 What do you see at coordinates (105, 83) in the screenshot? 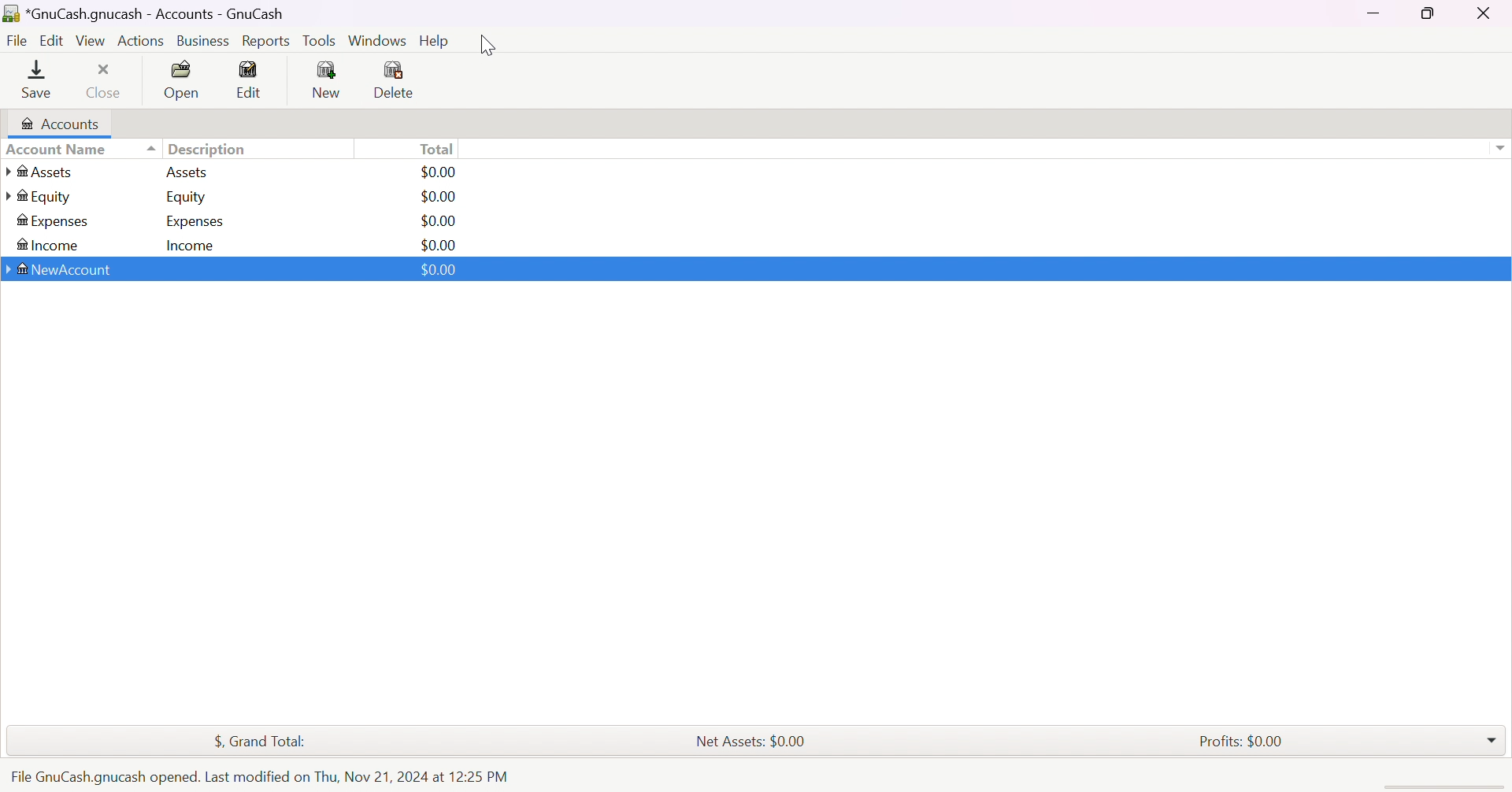
I see `Close` at bounding box center [105, 83].